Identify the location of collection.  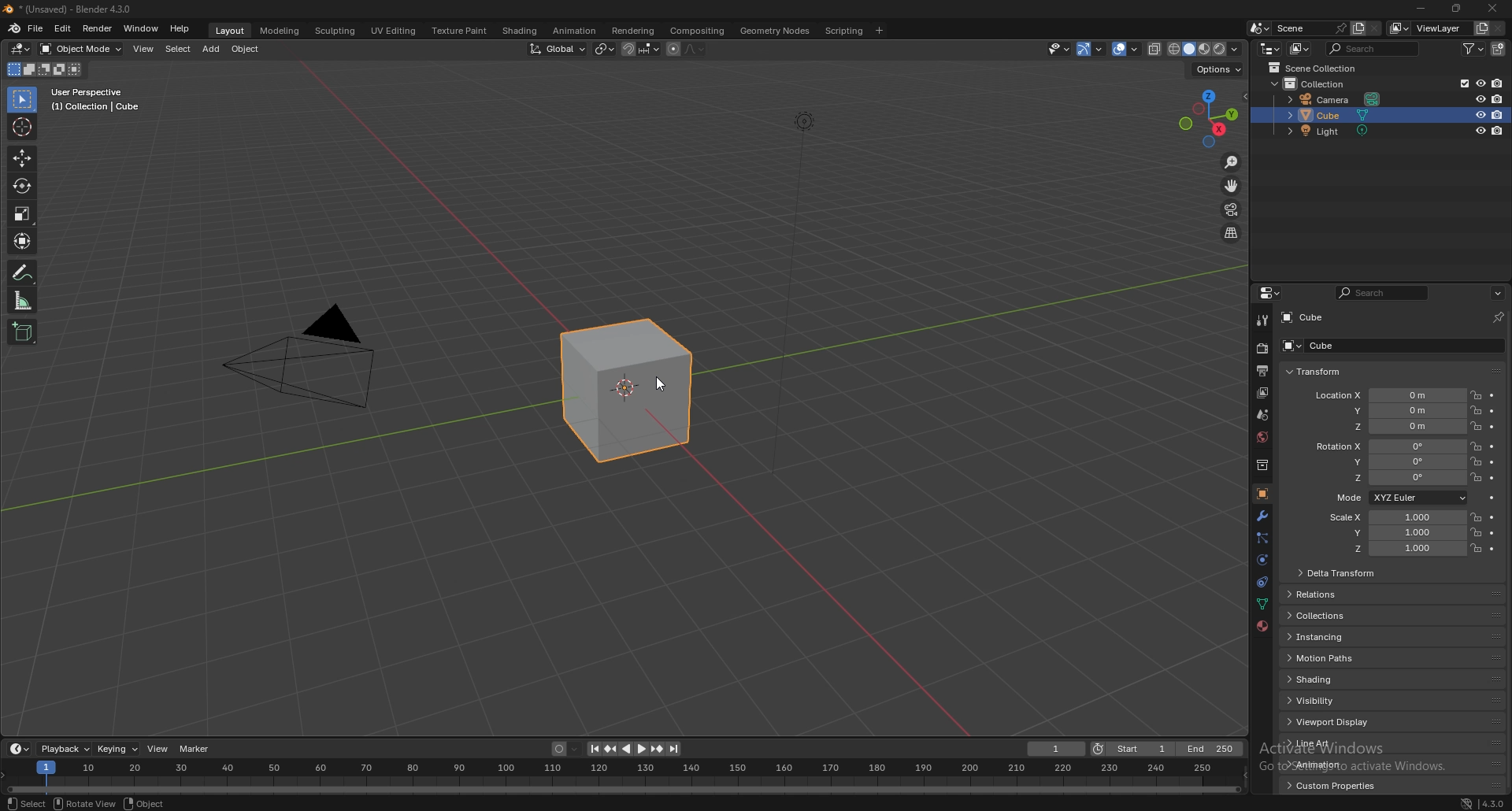
(1318, 83).